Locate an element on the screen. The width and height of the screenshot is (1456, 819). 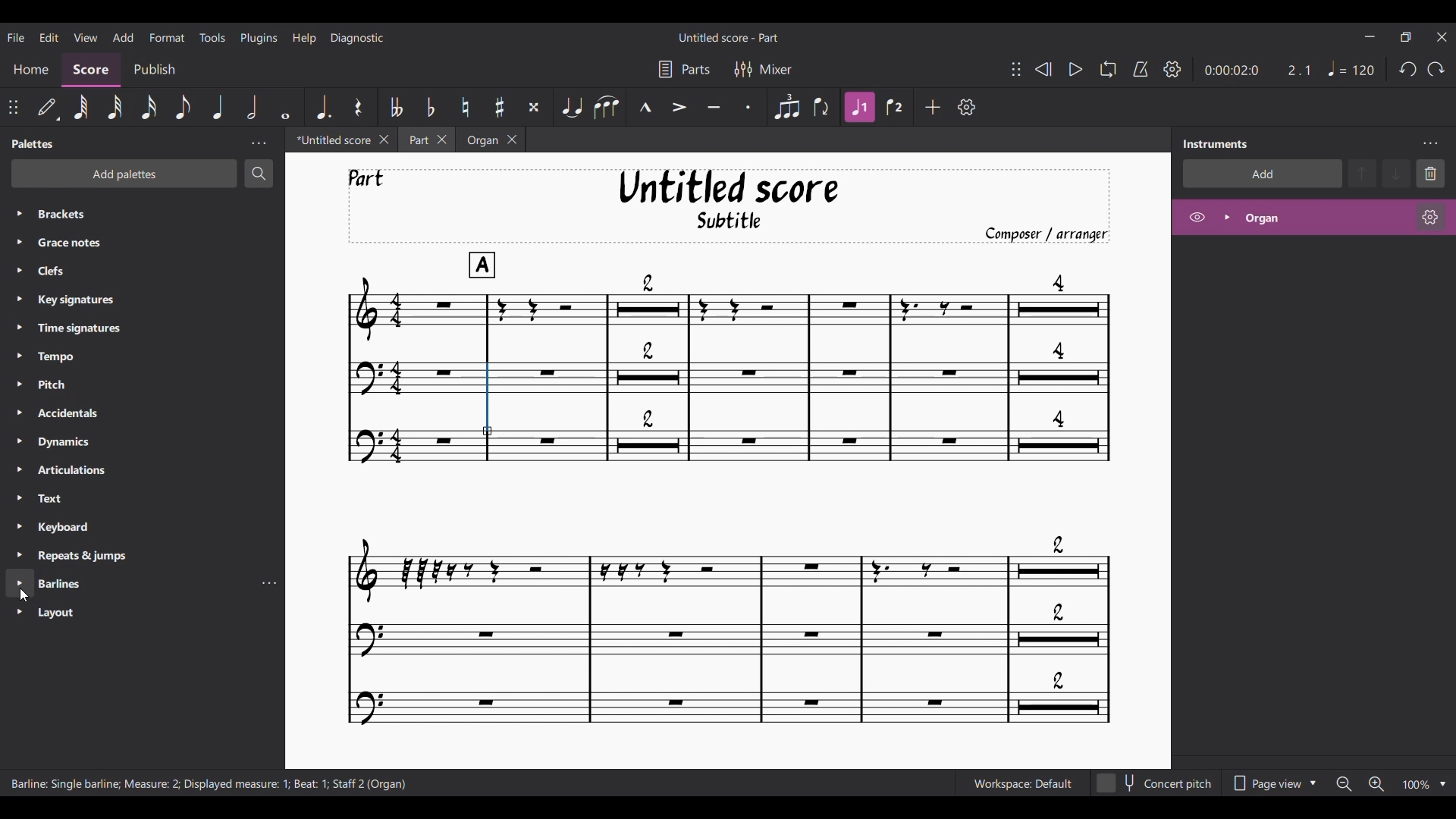
Slur is located at coordinates (607, 107).